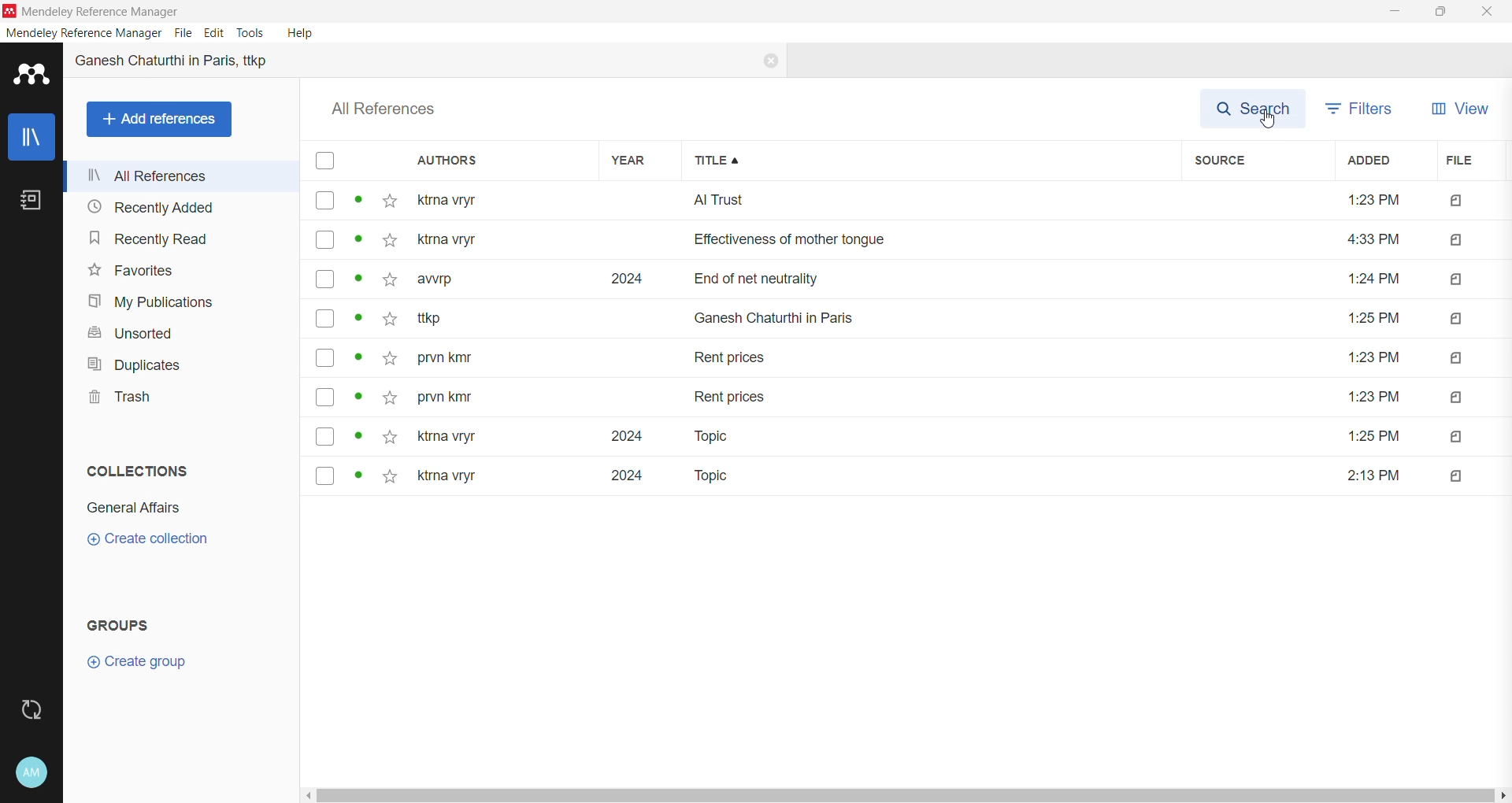 This screenshot has height=803, width=1512. I want to click on Edit, so click(213, 33).